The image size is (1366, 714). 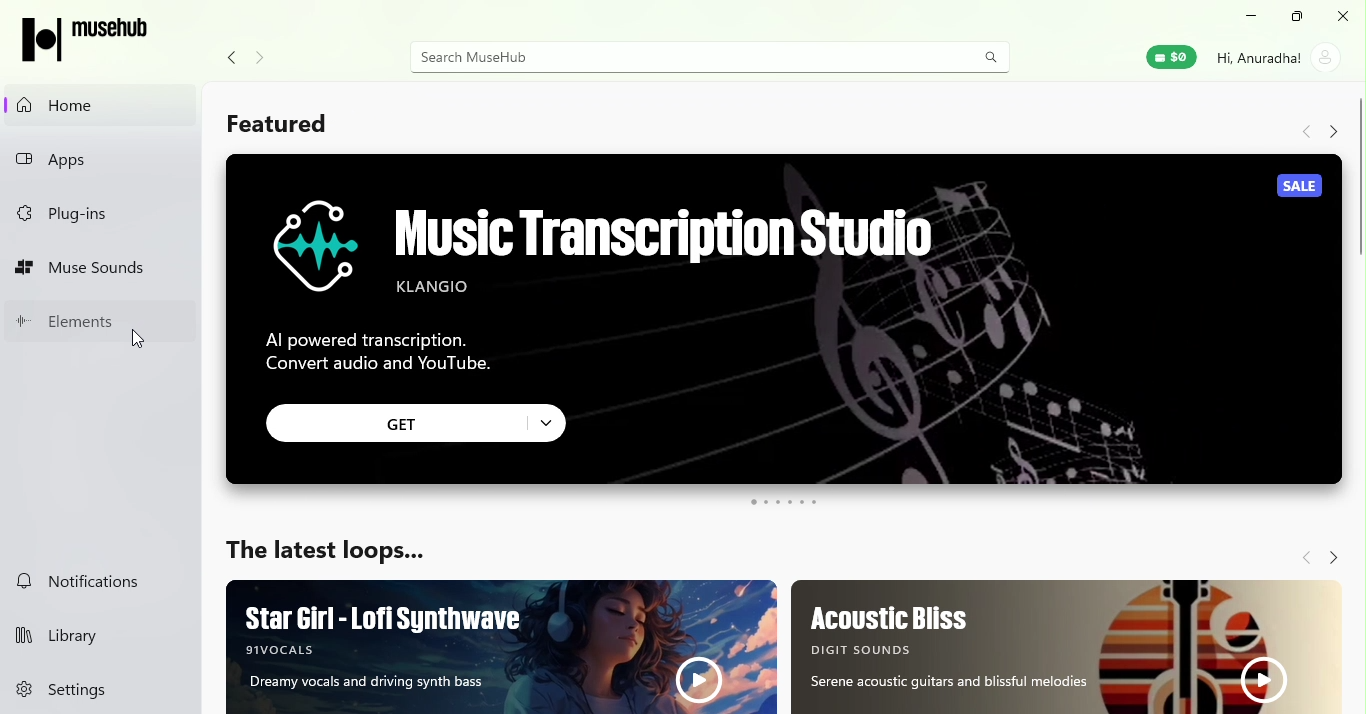 What do you see at coordinates (76, 691) in the screenshot?
I see `Settings` at bounding box center [76, 691].